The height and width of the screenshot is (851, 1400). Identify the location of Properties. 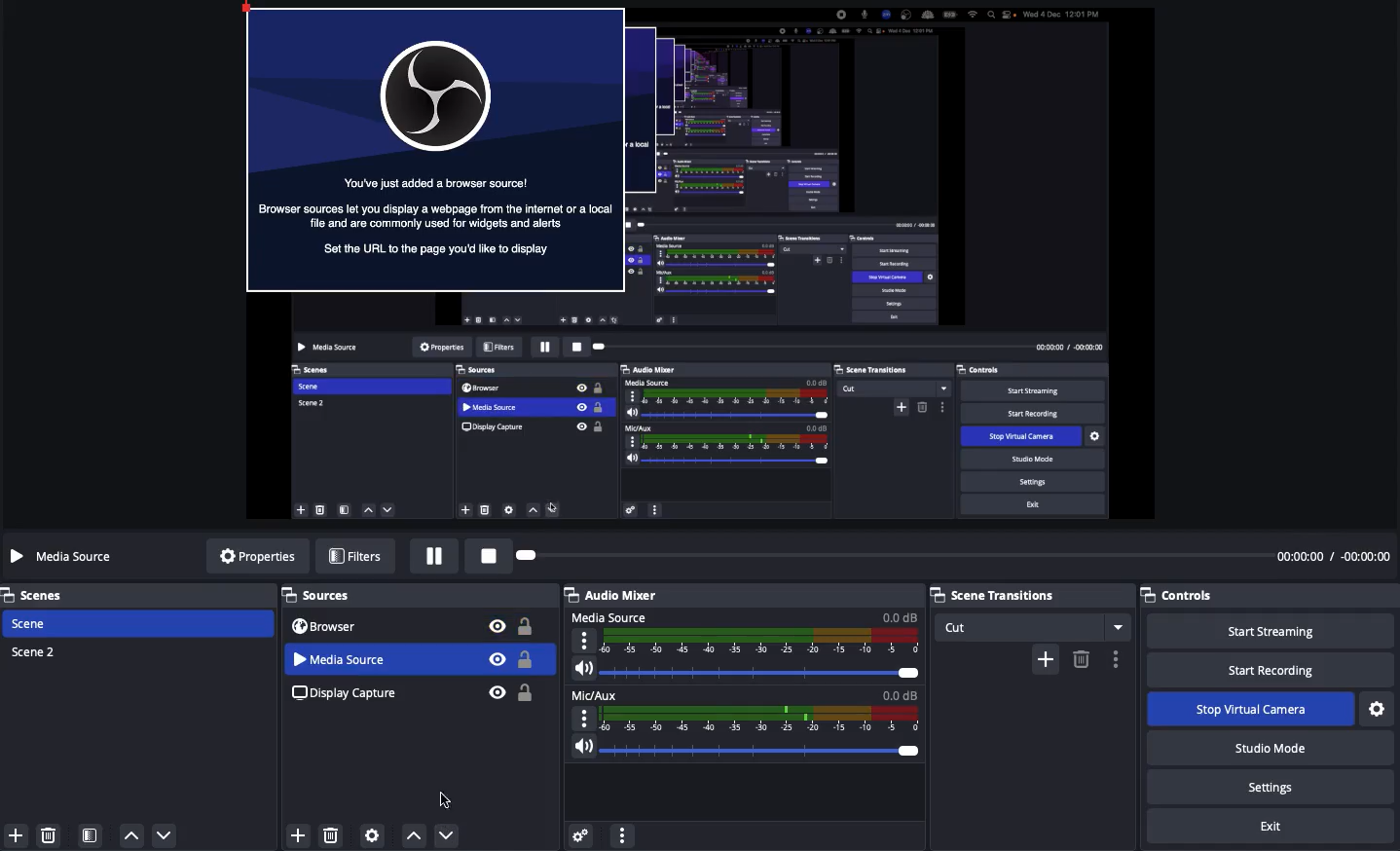
(256, 554).